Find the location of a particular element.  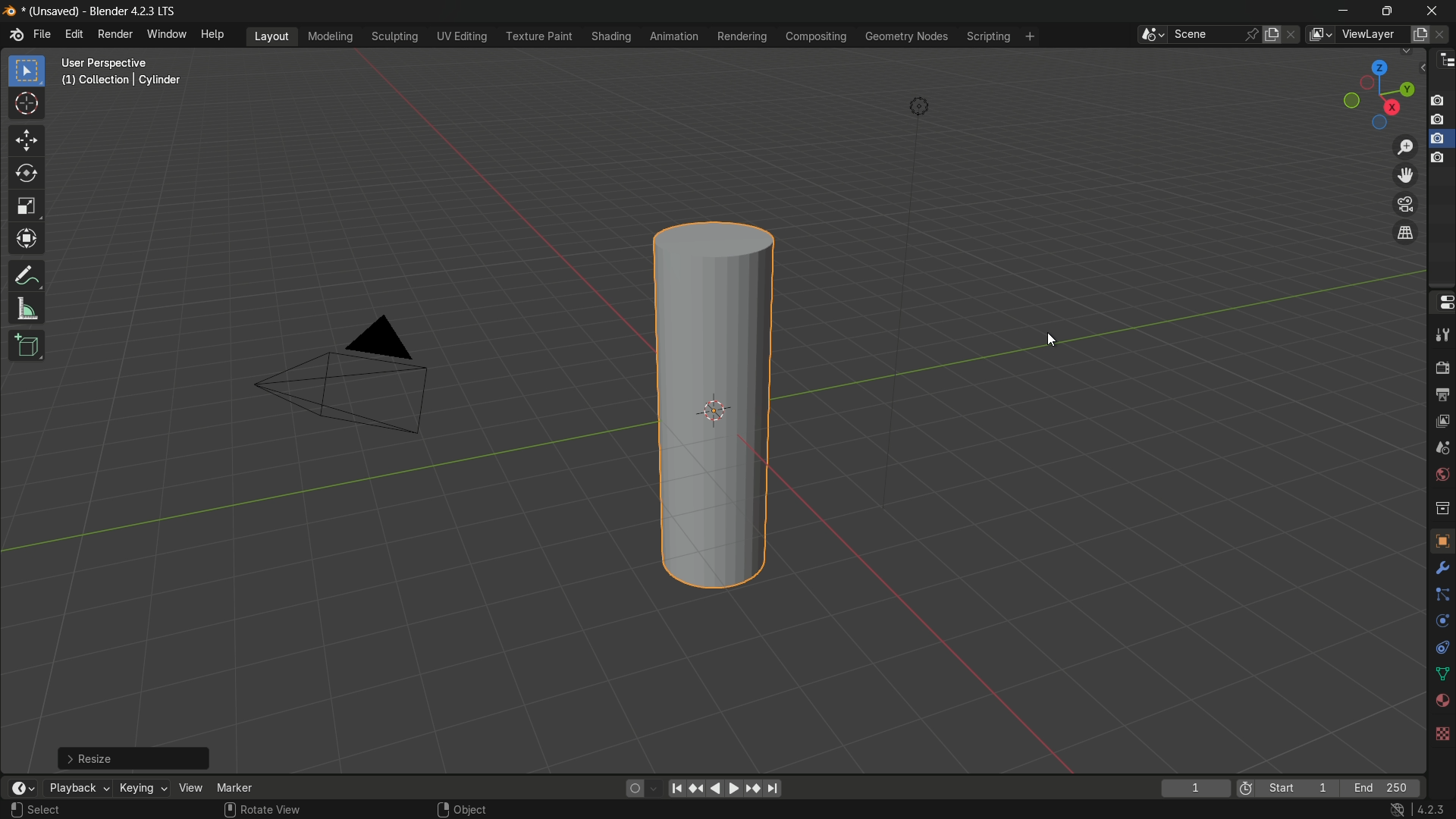

move the view is located at coordinates (1402, 175).